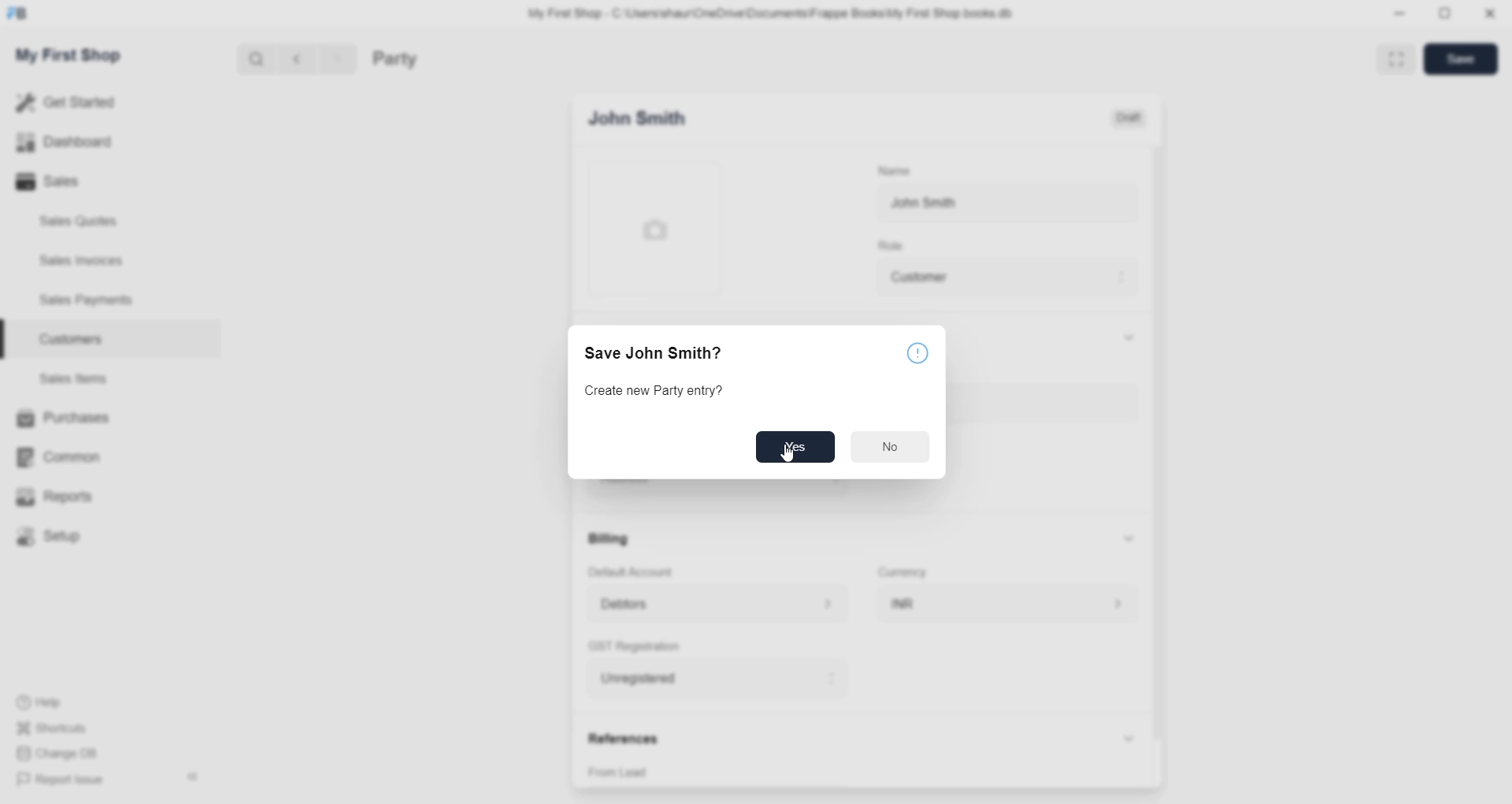 This screenshot has width=1512, height=804. I want to click on My First Shop, so click(87, 60).